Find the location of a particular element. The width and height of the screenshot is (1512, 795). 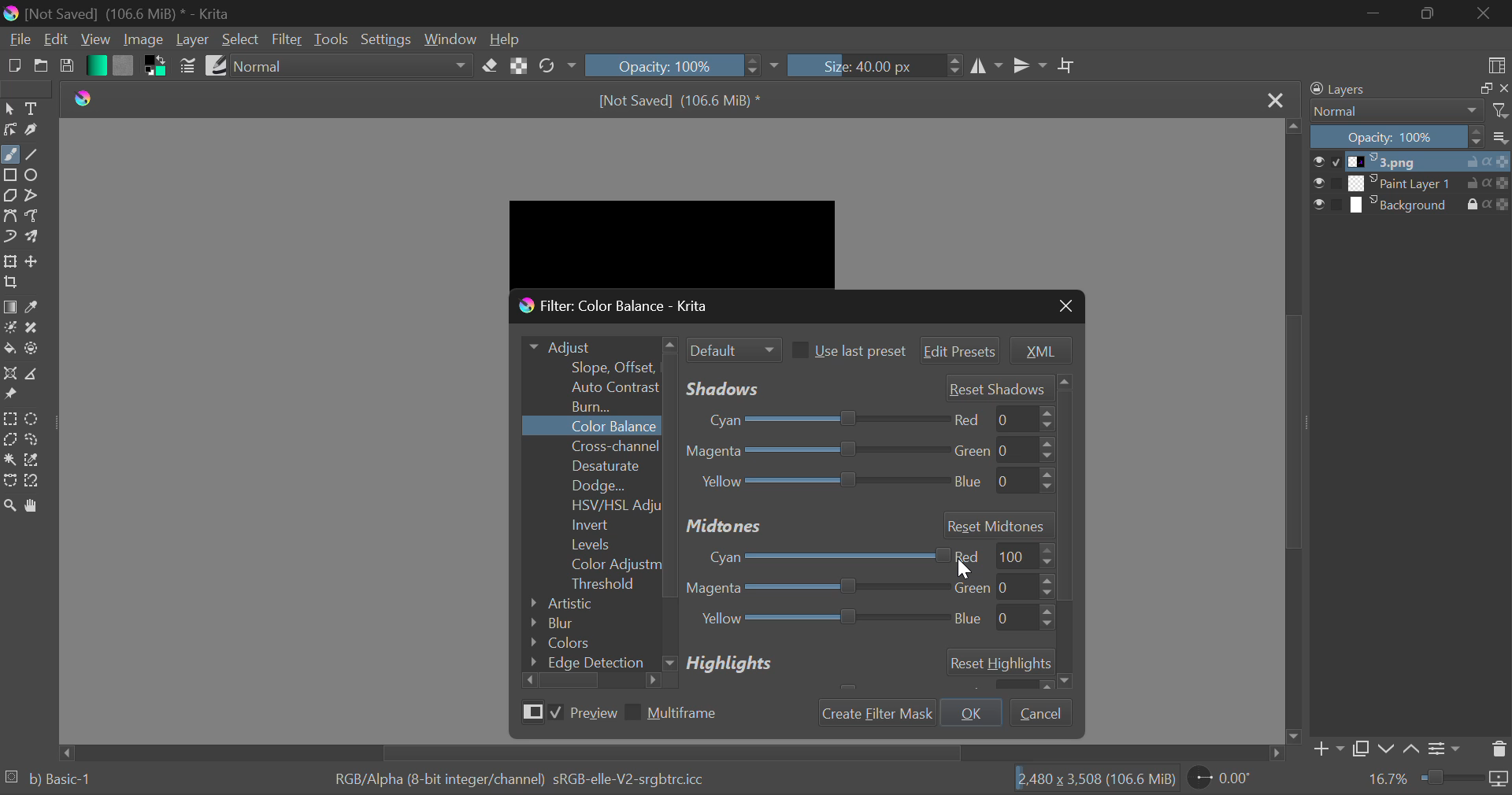

Crop is located at coordinates (1065, 65).